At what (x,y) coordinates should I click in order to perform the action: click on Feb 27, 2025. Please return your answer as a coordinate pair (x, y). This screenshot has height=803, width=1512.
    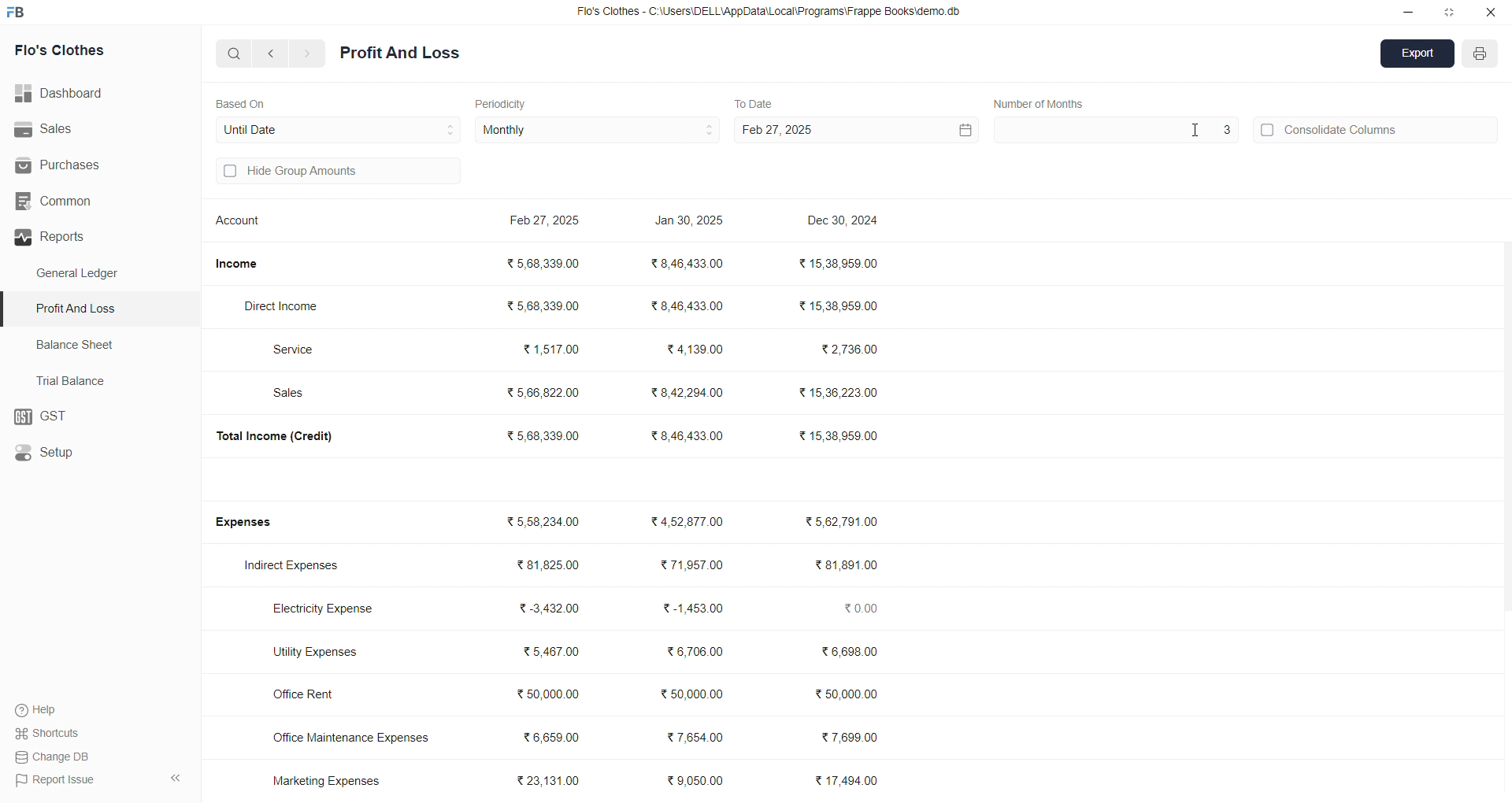
    Looking at the image, I should click on (854, 130).